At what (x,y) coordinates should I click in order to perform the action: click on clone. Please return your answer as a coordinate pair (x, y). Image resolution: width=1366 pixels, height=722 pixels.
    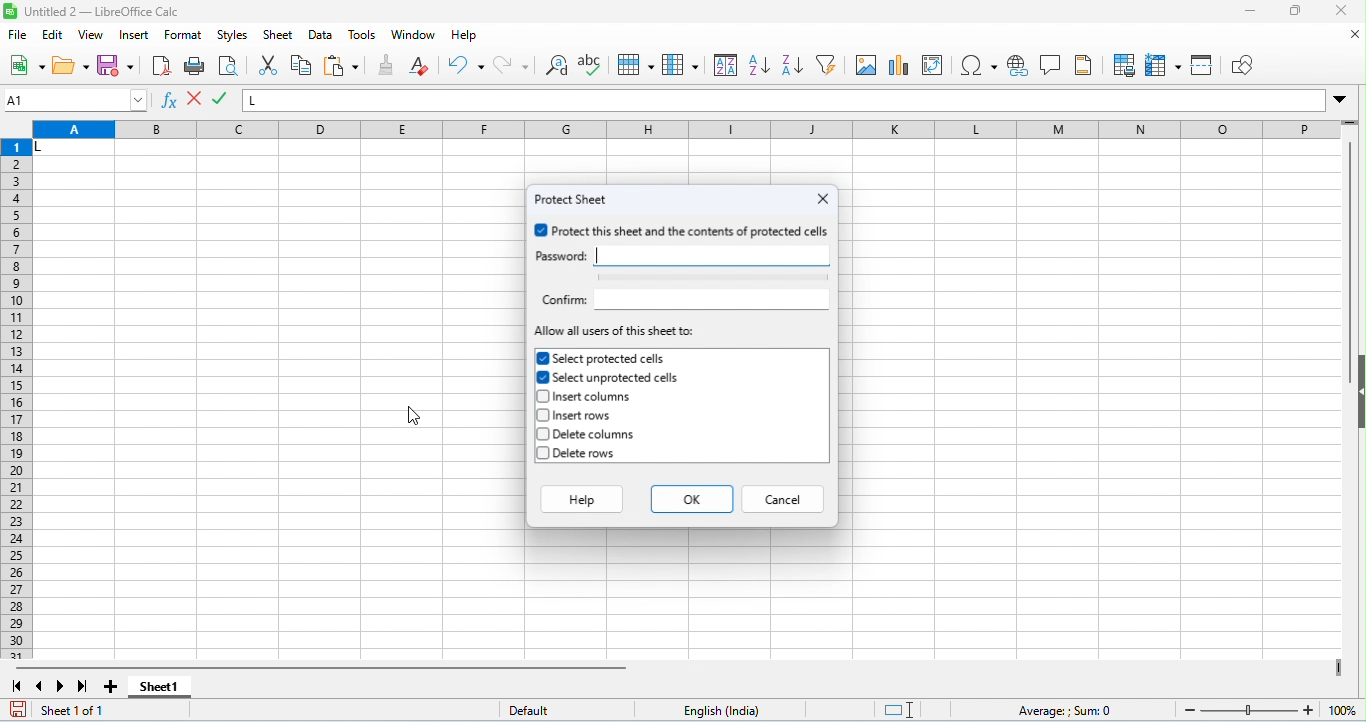
    Looking at the image, I should click on (388, 64).